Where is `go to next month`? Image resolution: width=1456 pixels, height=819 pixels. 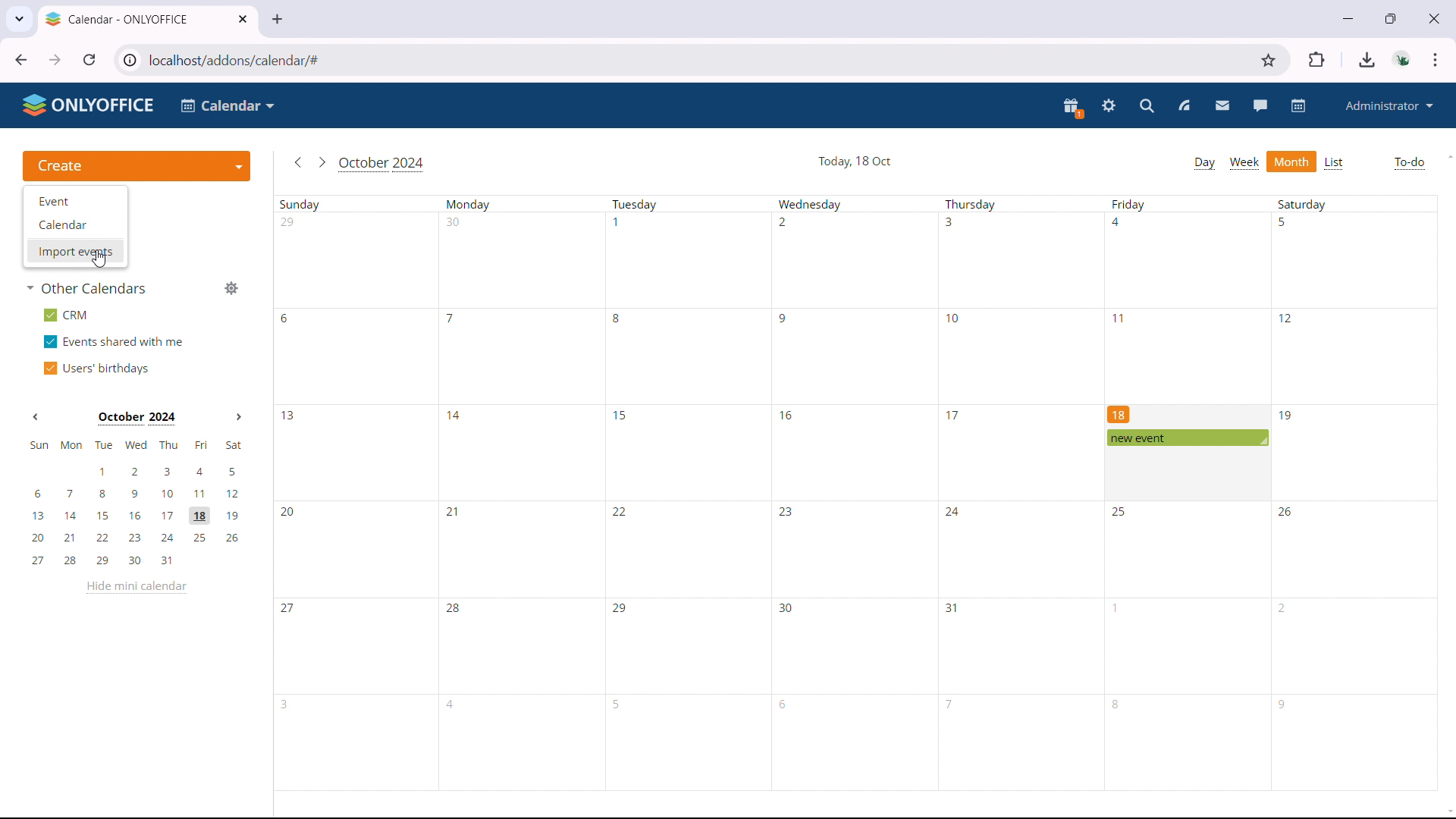
go to next month is located at coordinates (321, 162).